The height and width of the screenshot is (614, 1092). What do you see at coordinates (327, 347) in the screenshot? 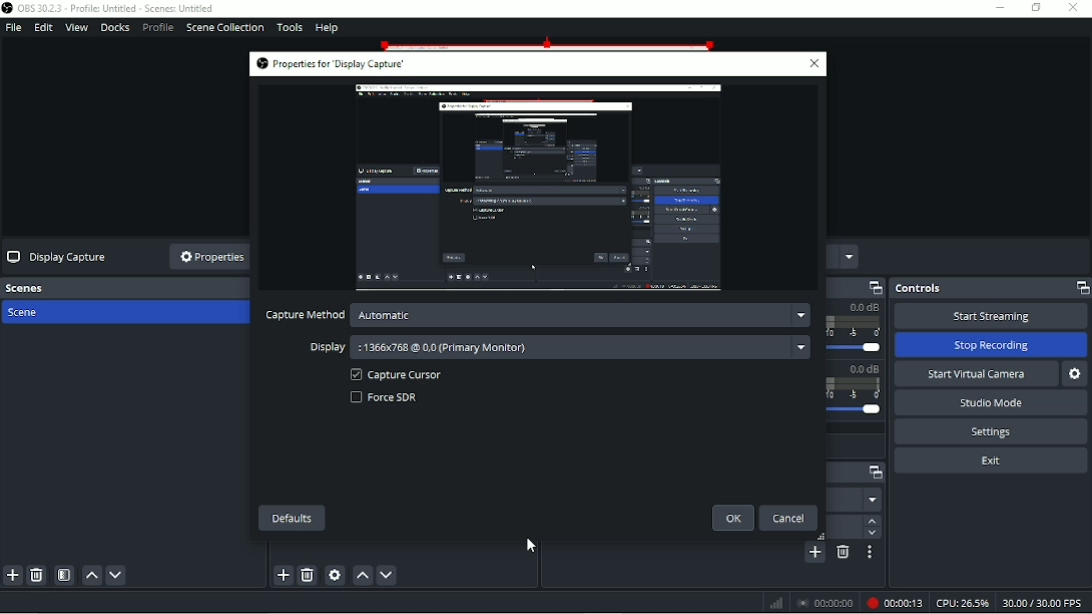
I see `Display` at bounding box center [327, 347].